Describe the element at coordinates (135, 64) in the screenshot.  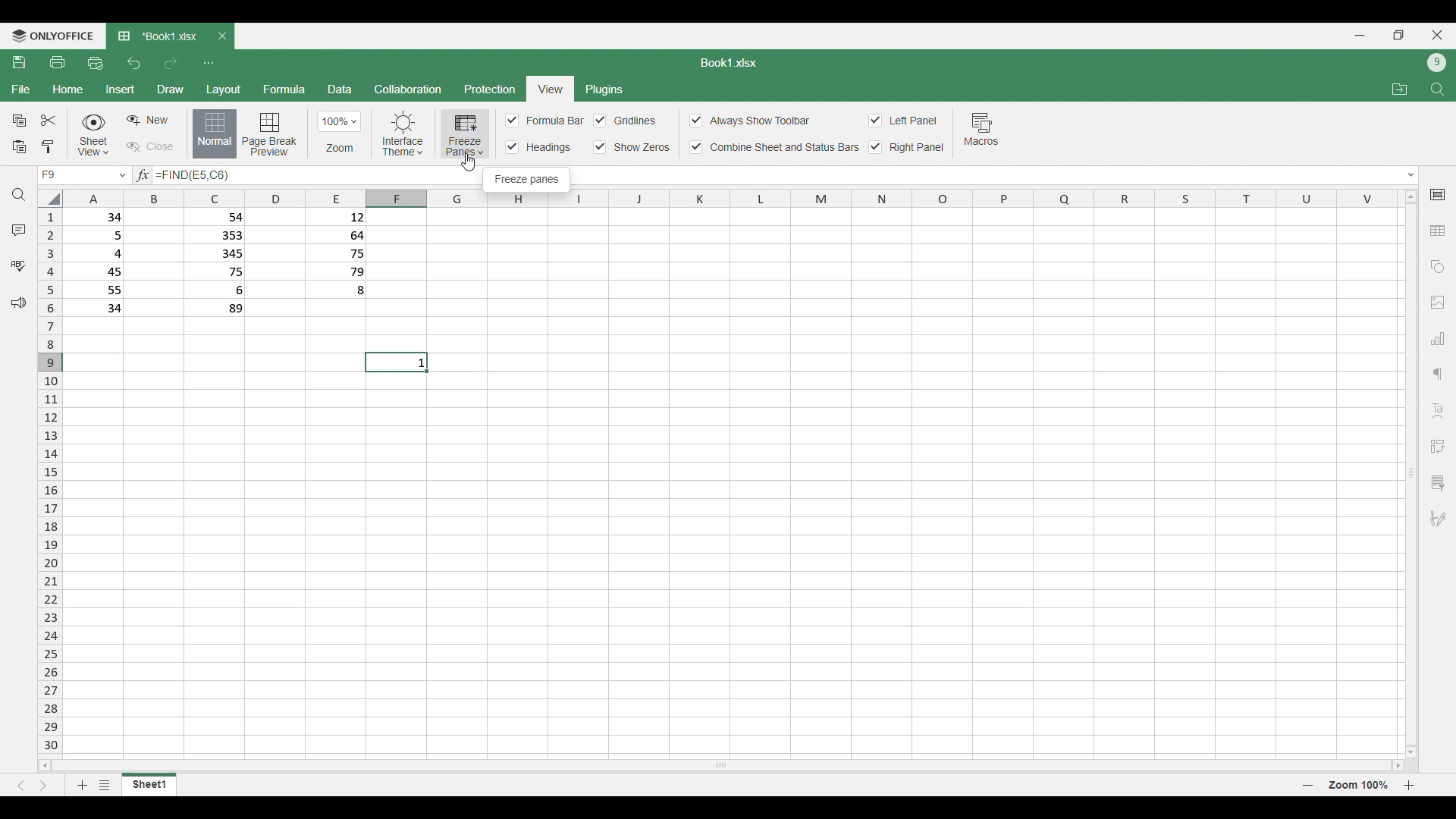
I see `Undo` at that location.